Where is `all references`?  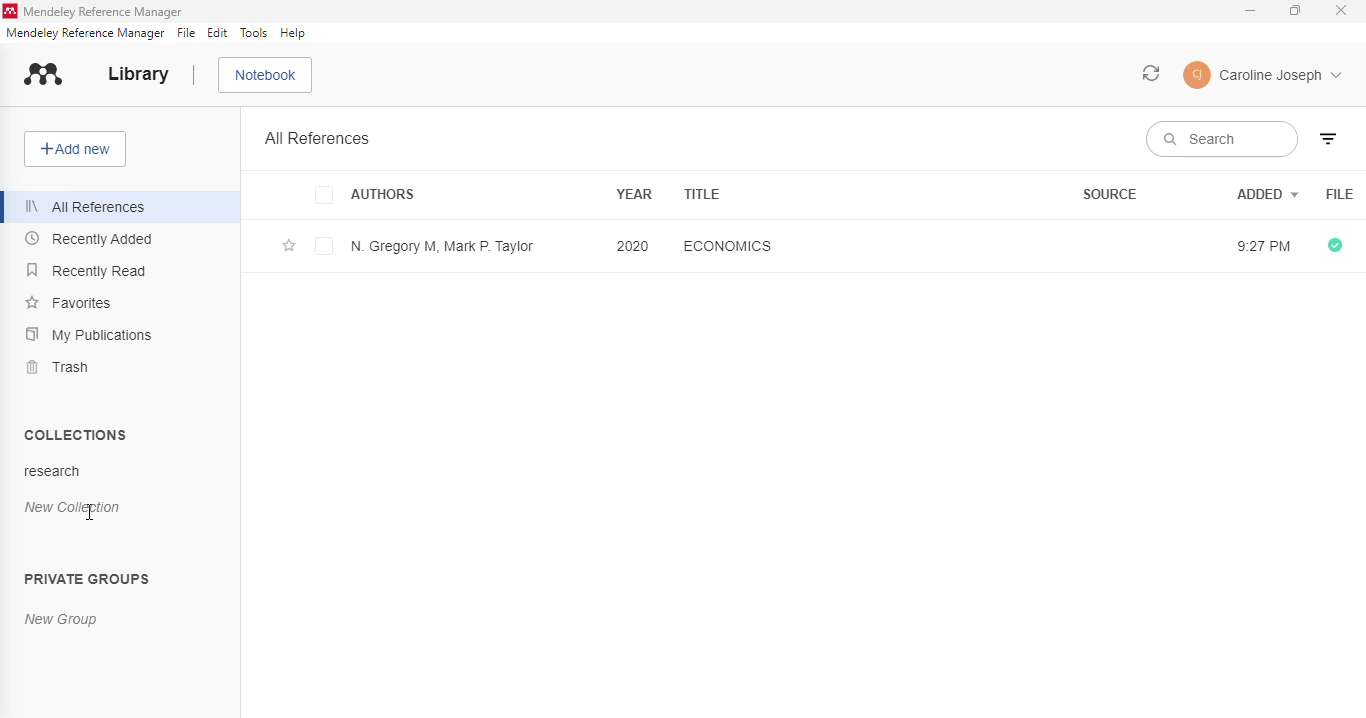 all references is located at coordinates (318, 138).